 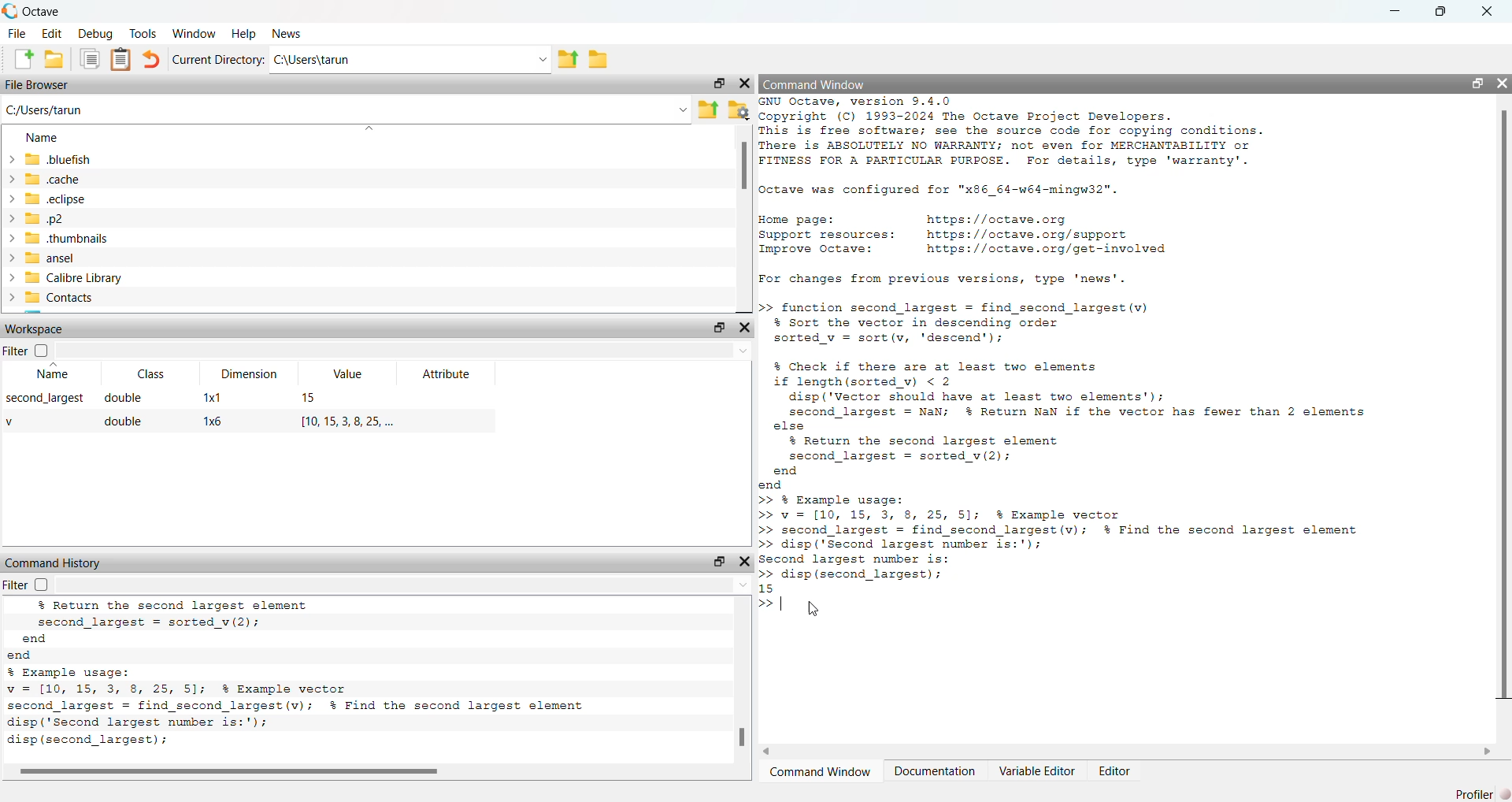 What do you see at coordinates (409, 351) in the screenshot?
I see `filter input field` at bounding box center [409, 351].